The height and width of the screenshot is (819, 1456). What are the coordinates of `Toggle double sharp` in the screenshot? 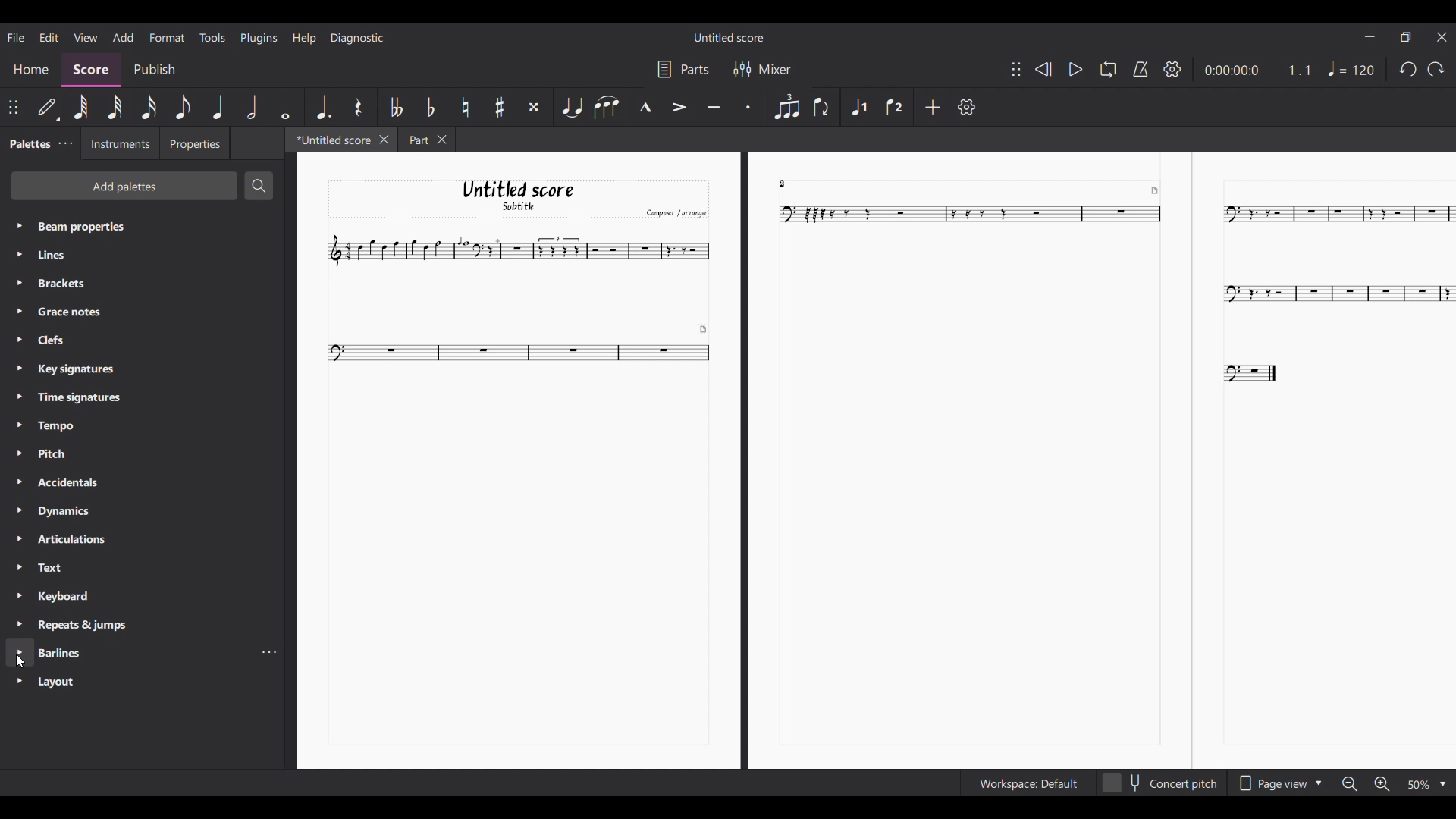 It's located at (535, 107).